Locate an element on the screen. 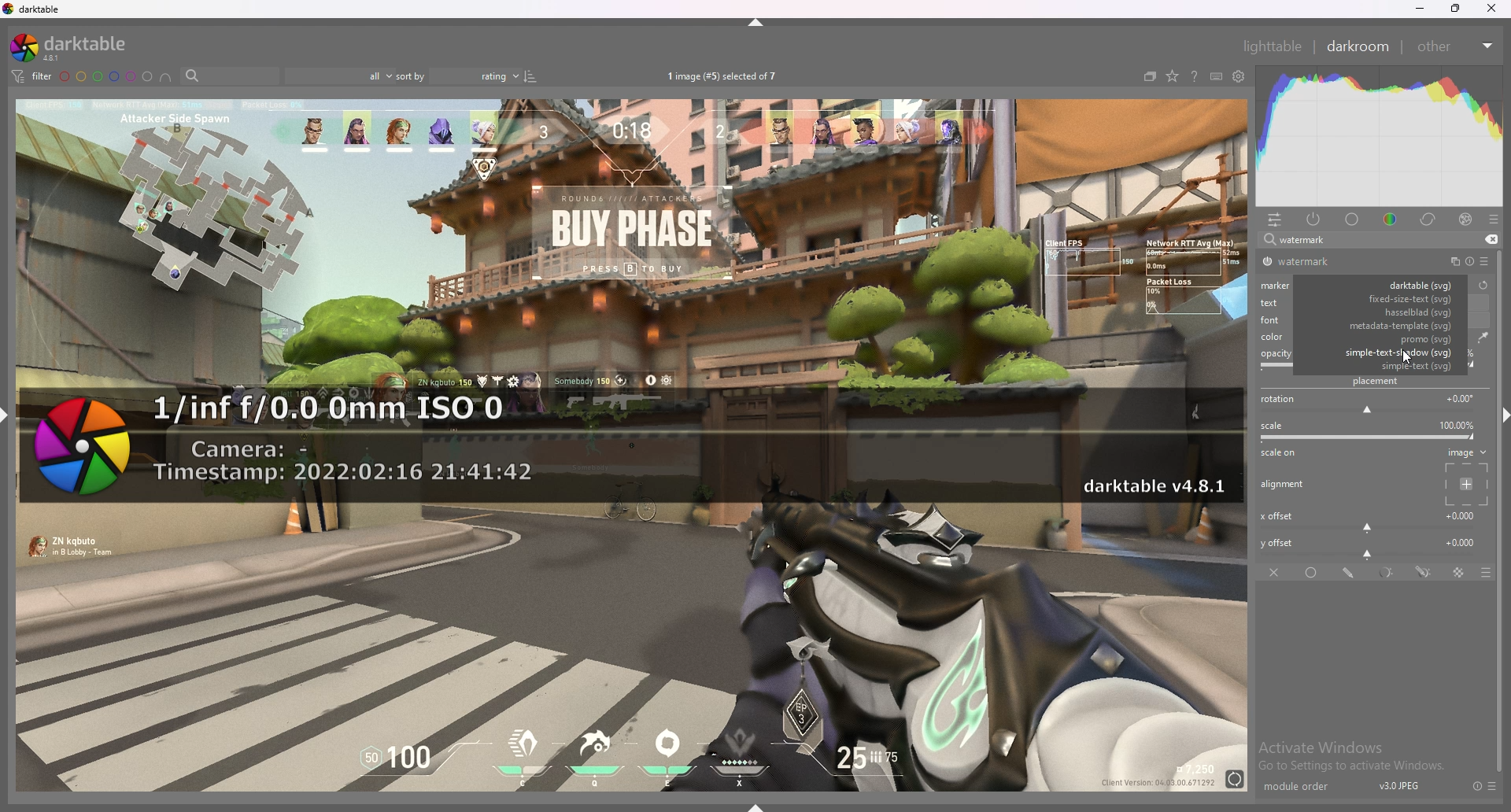 This screenshot has height=812, width=1511. opacity is located at coordinates (1276, 361).